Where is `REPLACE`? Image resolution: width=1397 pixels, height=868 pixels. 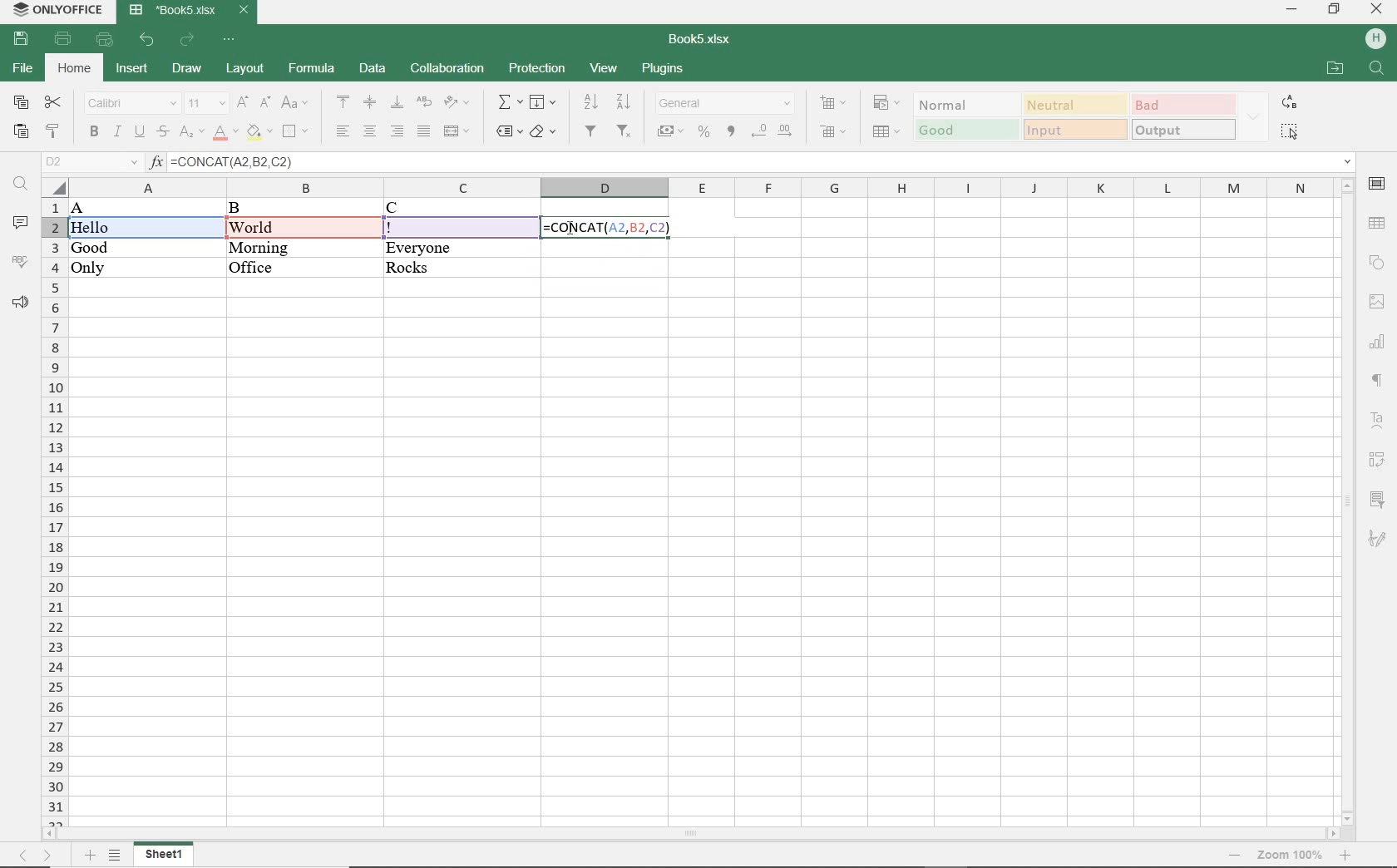
REPLACE is located at coordinates (1290, 103).